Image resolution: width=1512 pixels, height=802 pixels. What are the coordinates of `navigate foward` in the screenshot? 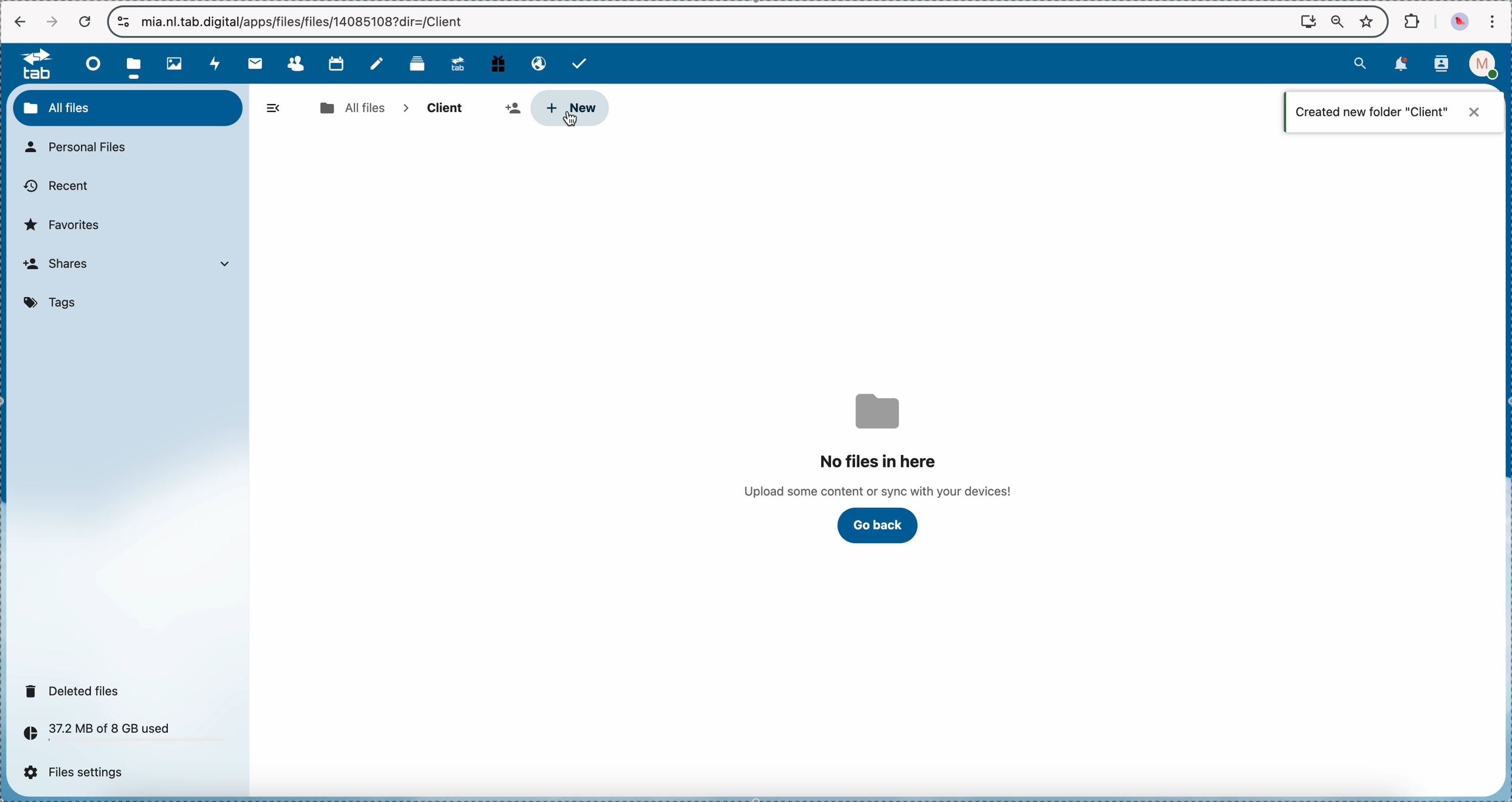 It's located at (52, 22).